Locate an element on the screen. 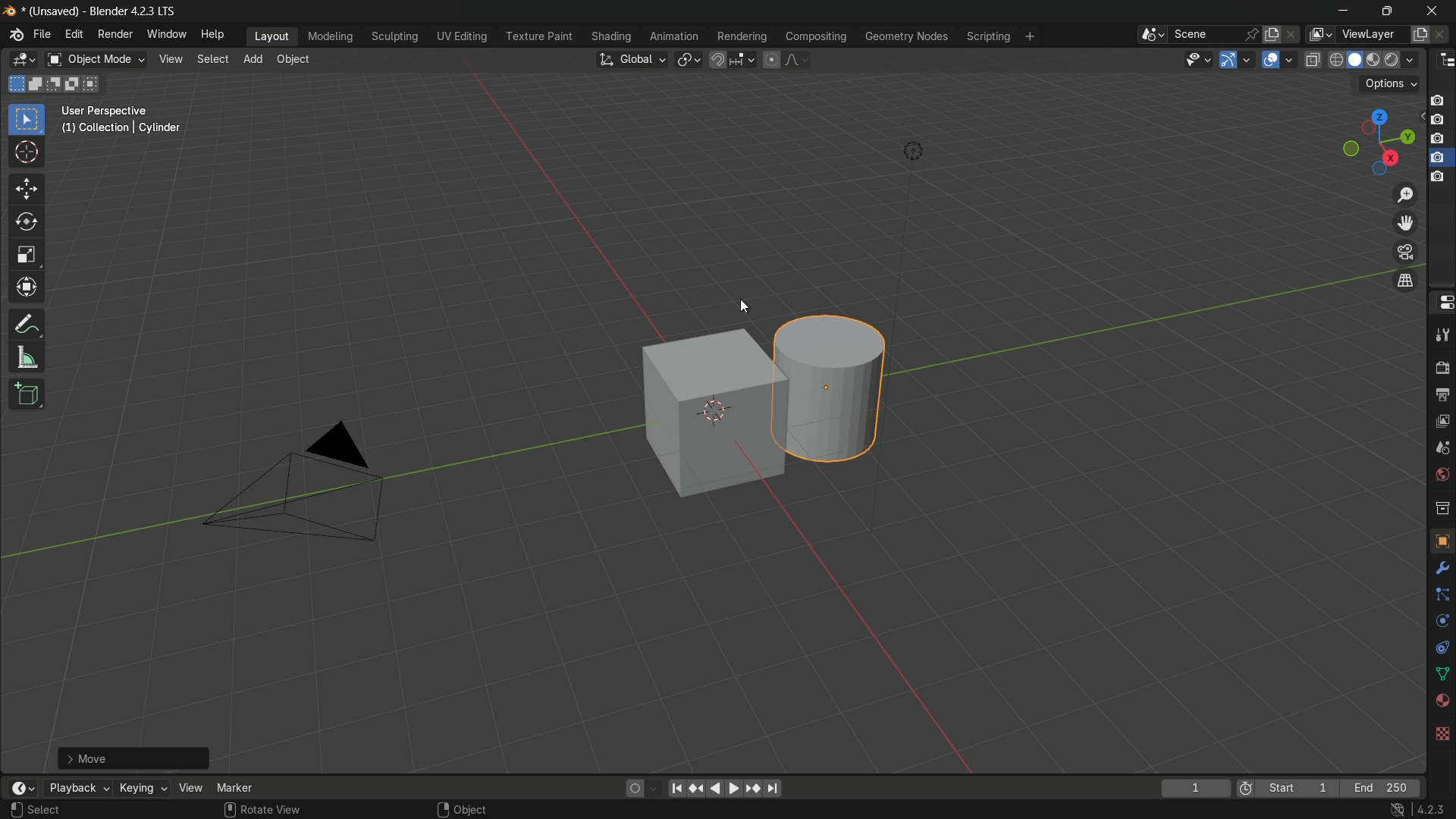 The image size is (1456, 819). render is located at coordinates (1439, 366).